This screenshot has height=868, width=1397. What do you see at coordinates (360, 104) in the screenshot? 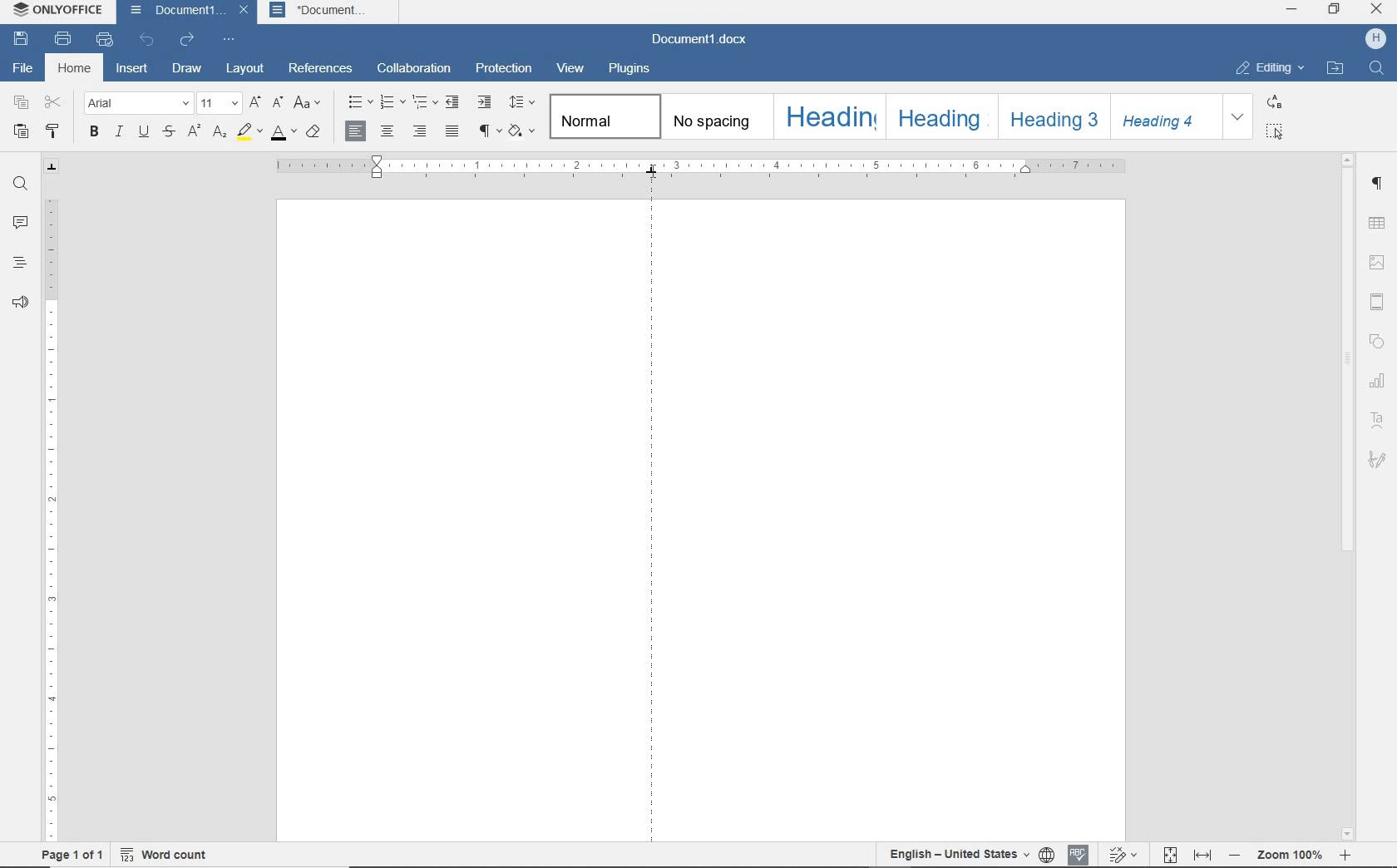
I see `BULLETS` at bounding box center [360, 104].